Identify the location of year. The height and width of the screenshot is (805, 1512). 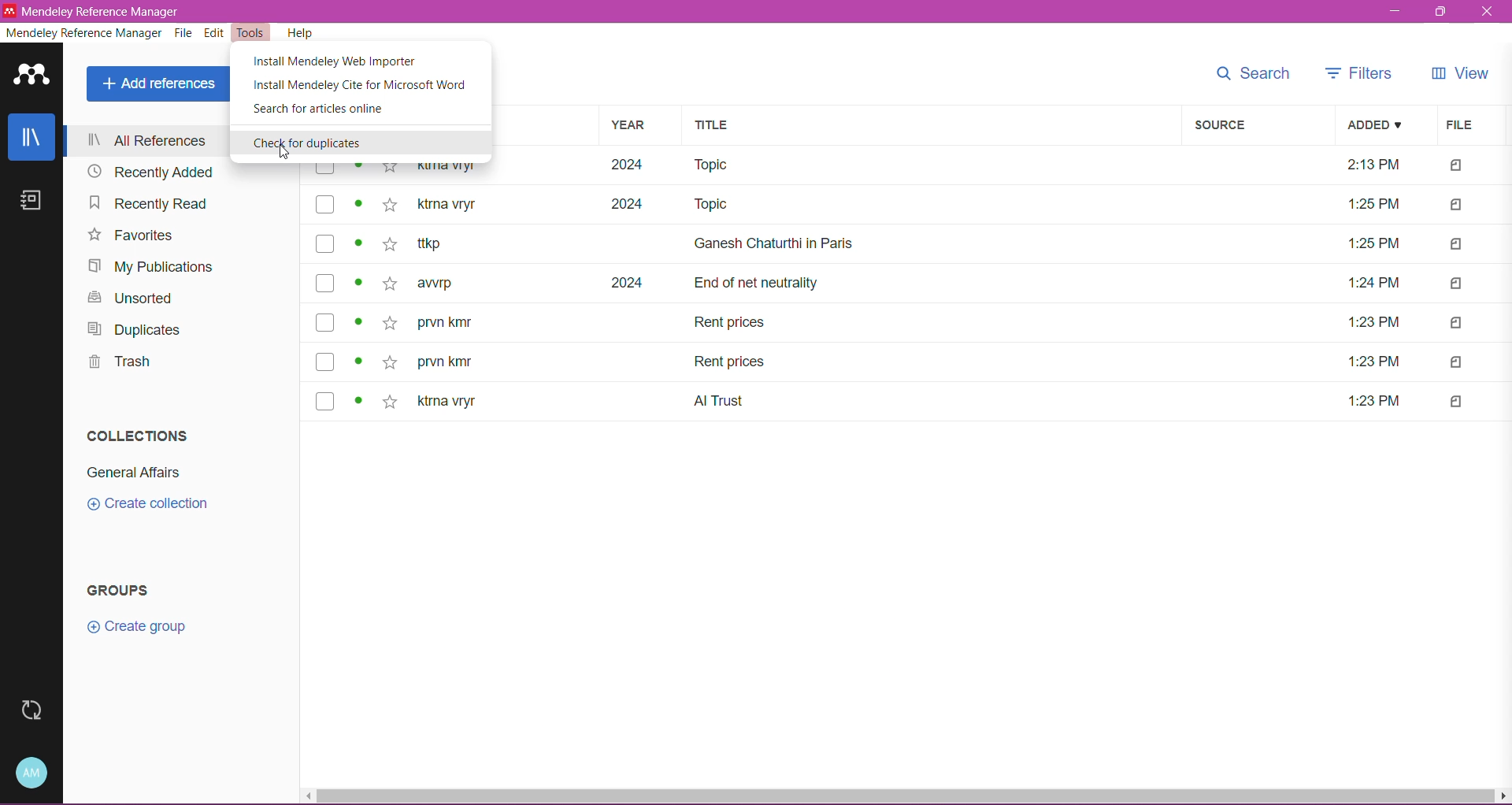
(625, 282).